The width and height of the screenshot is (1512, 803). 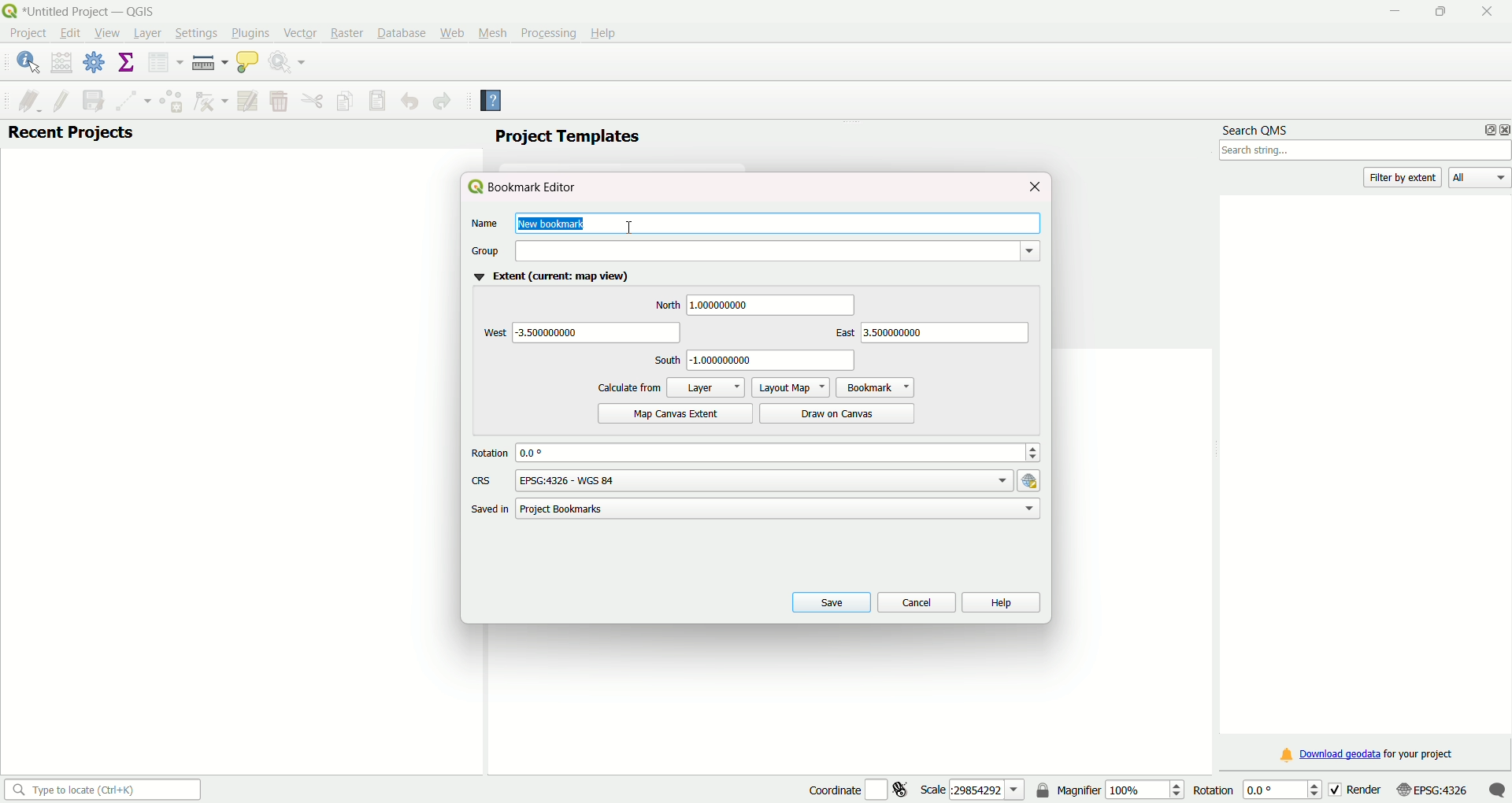 What do you see at coordinates (547, 32) in the screenshot?
I see `Processing` at bounding box center [547, 32].